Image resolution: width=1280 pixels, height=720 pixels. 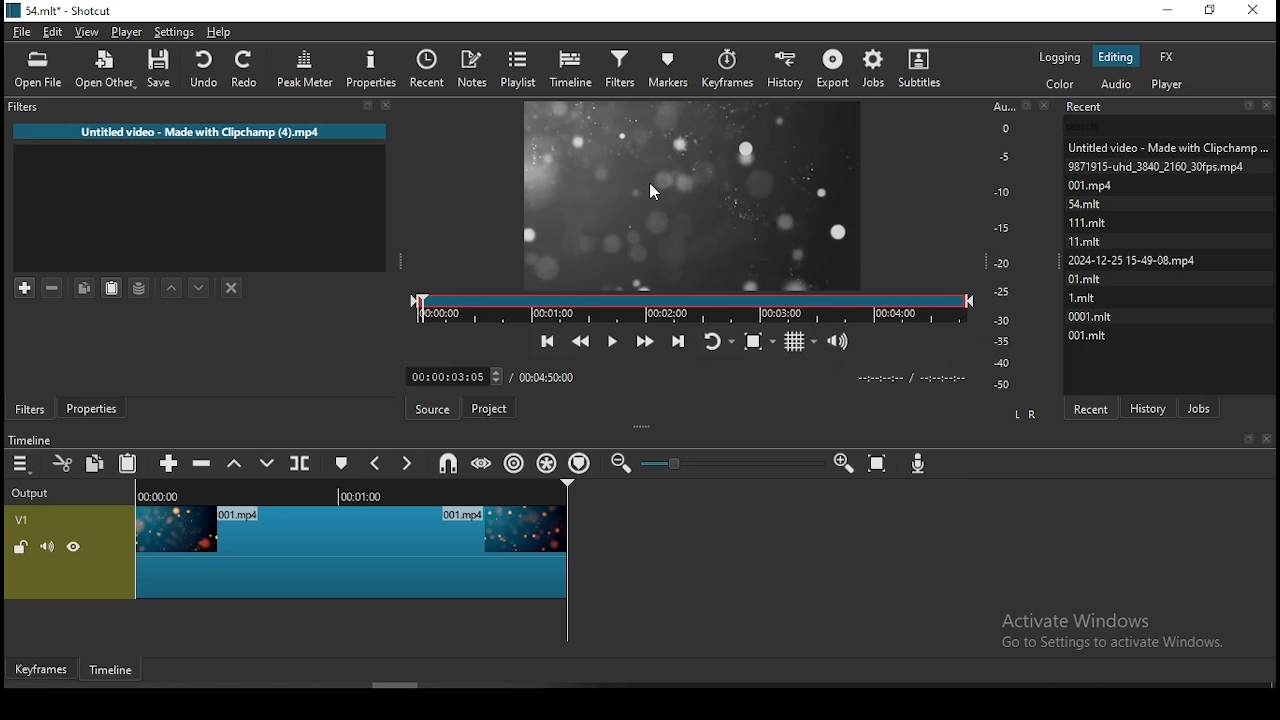 What do you see at coordinates (1005, 247) in the screenshot?
I see `scale` at bounding box center [1005, 247].